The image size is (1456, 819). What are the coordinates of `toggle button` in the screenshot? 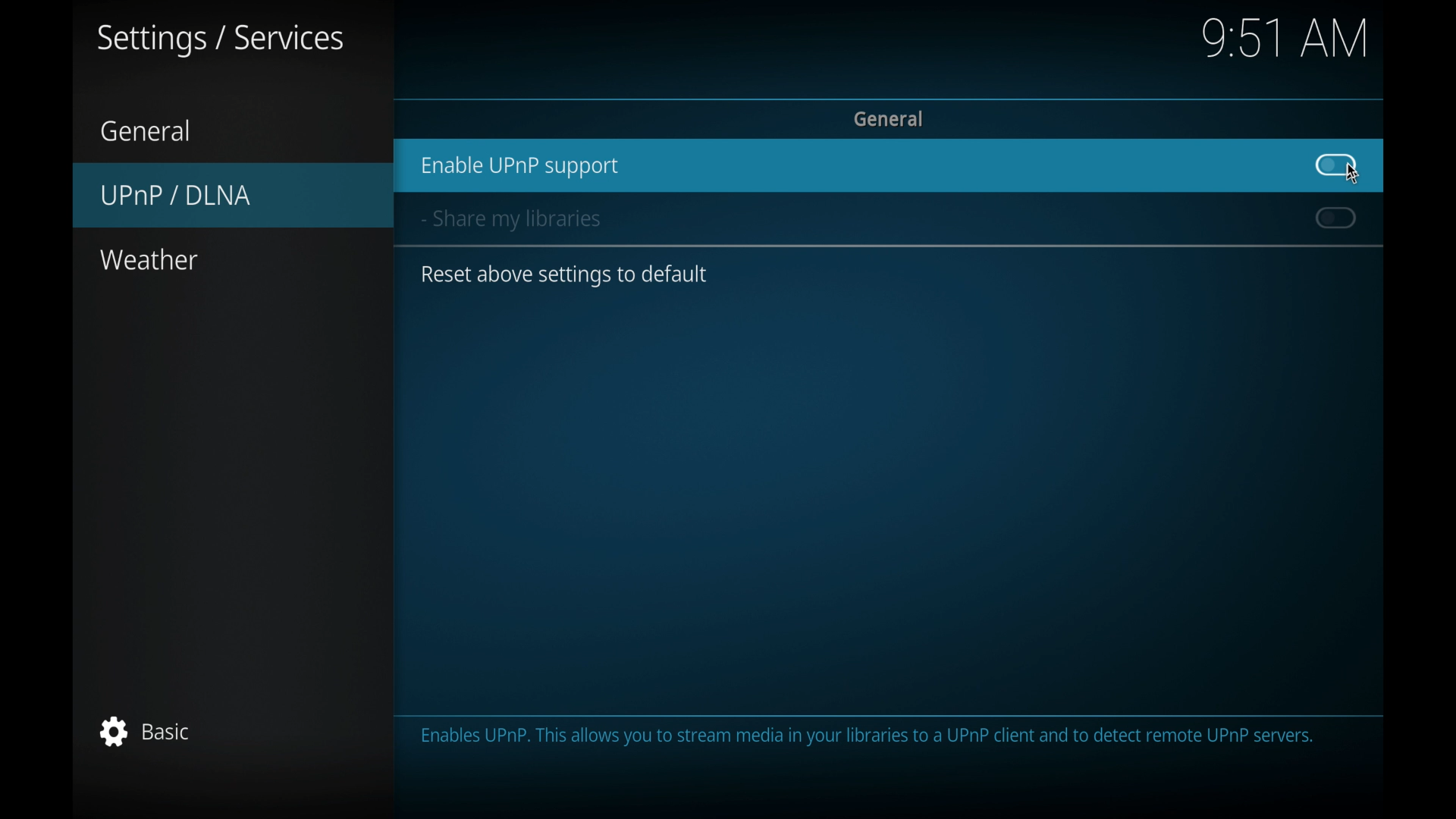 It's located at (1336, 218).